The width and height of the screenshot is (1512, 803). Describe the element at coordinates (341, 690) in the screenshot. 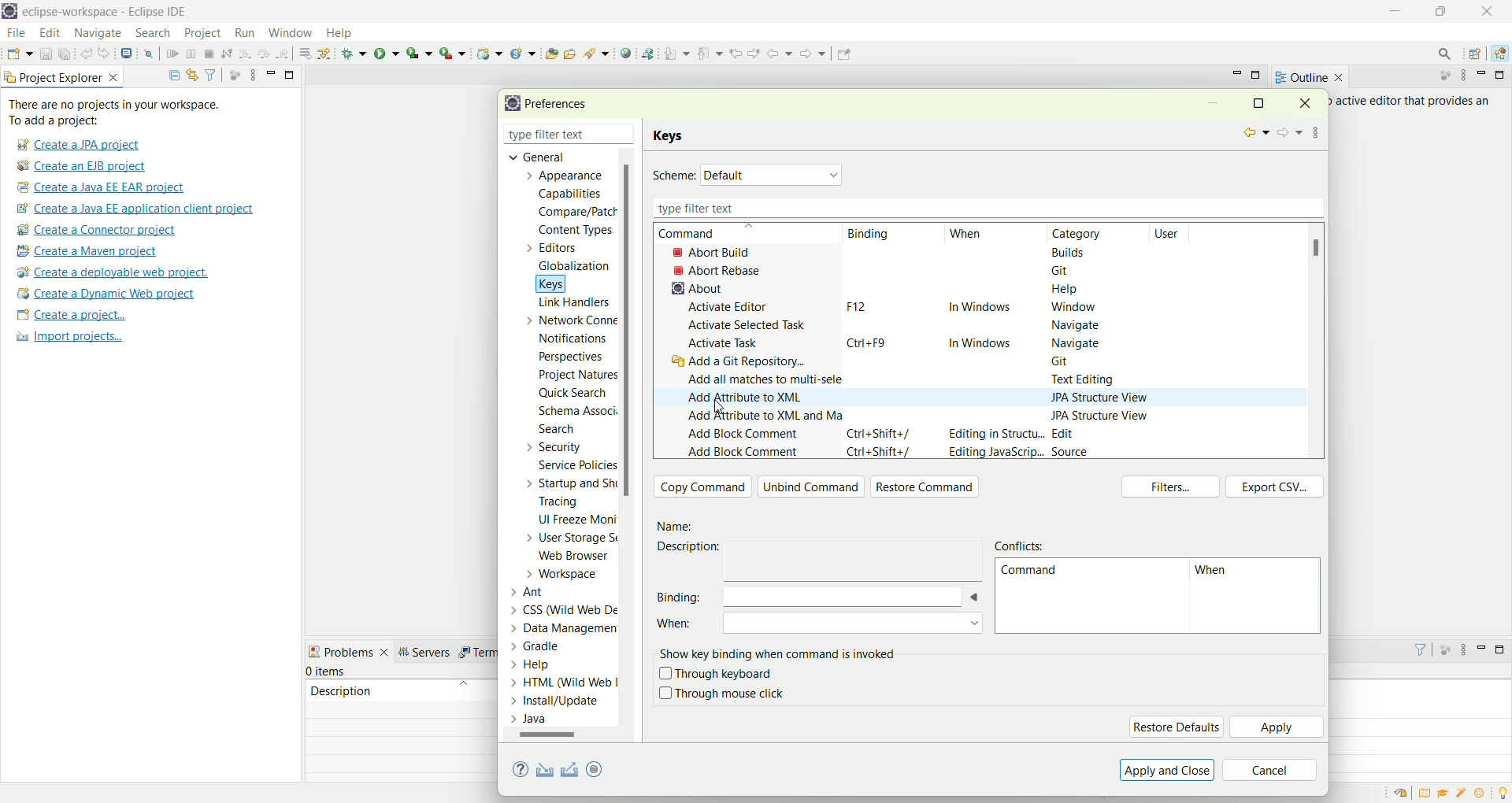

I see `description` at that location.